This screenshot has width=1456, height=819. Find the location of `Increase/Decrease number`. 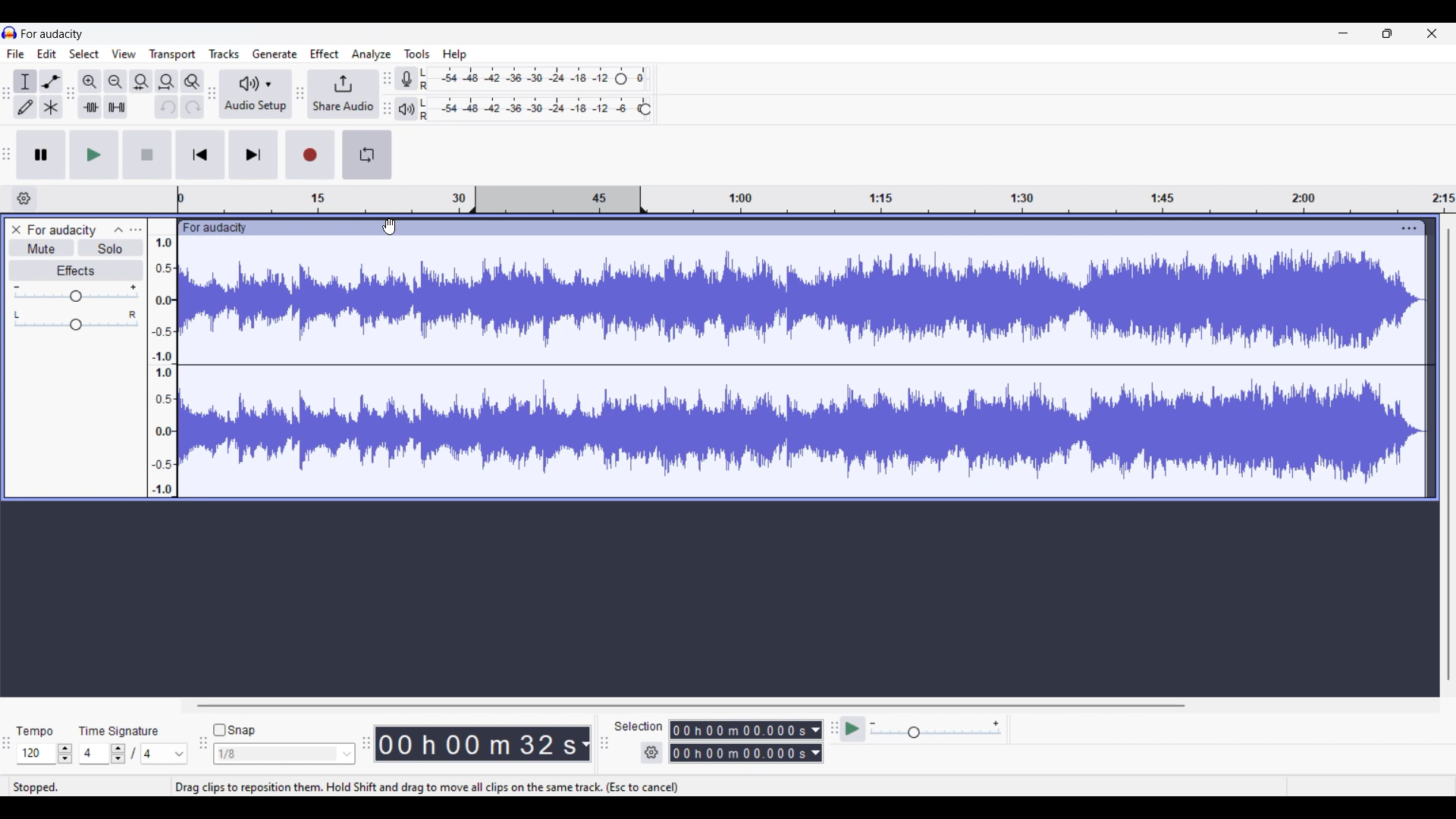

Increase/Decrease number is located at coordinates (118, 754).